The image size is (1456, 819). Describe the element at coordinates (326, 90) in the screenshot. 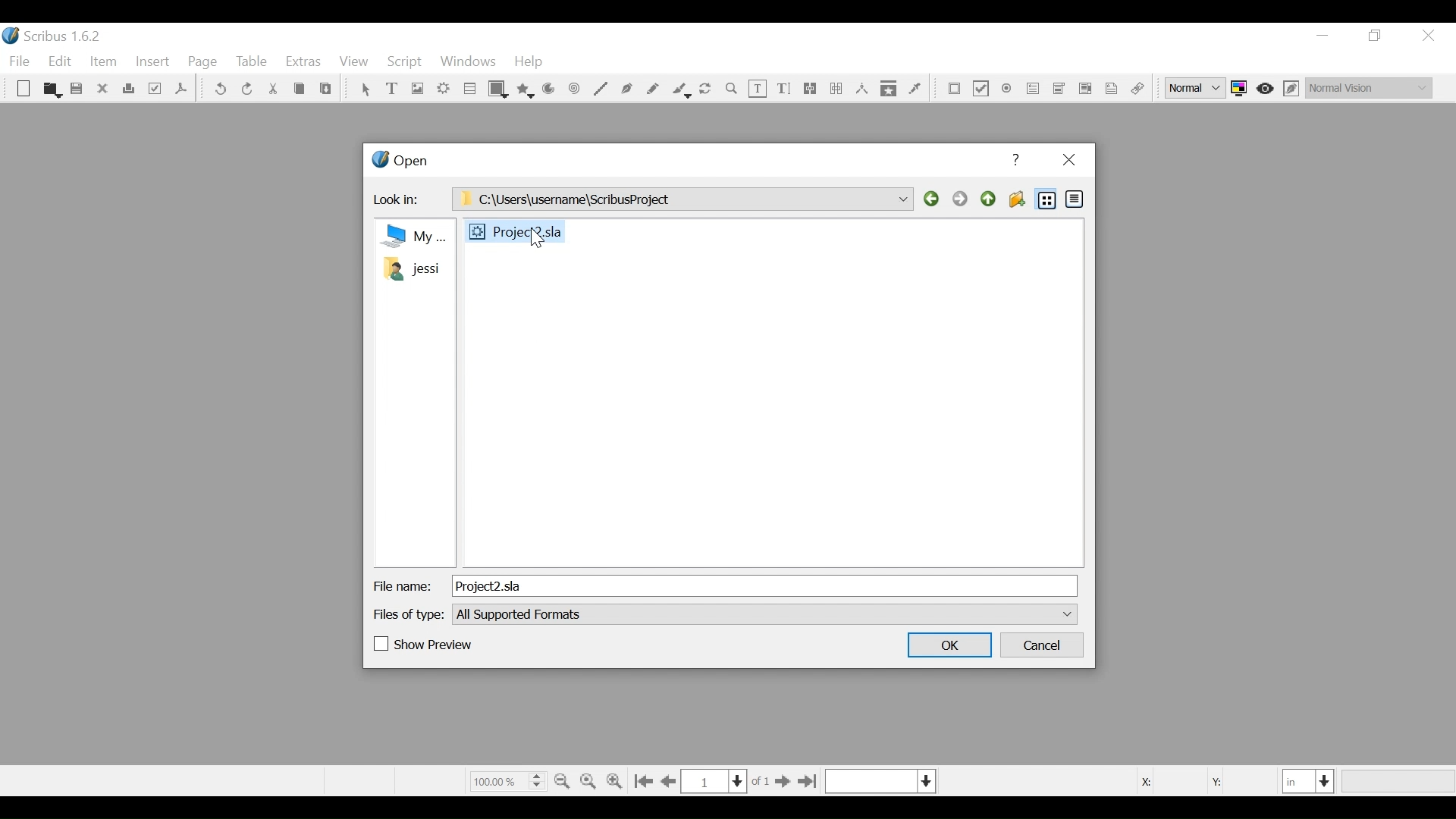

I see `Paste` at that location.